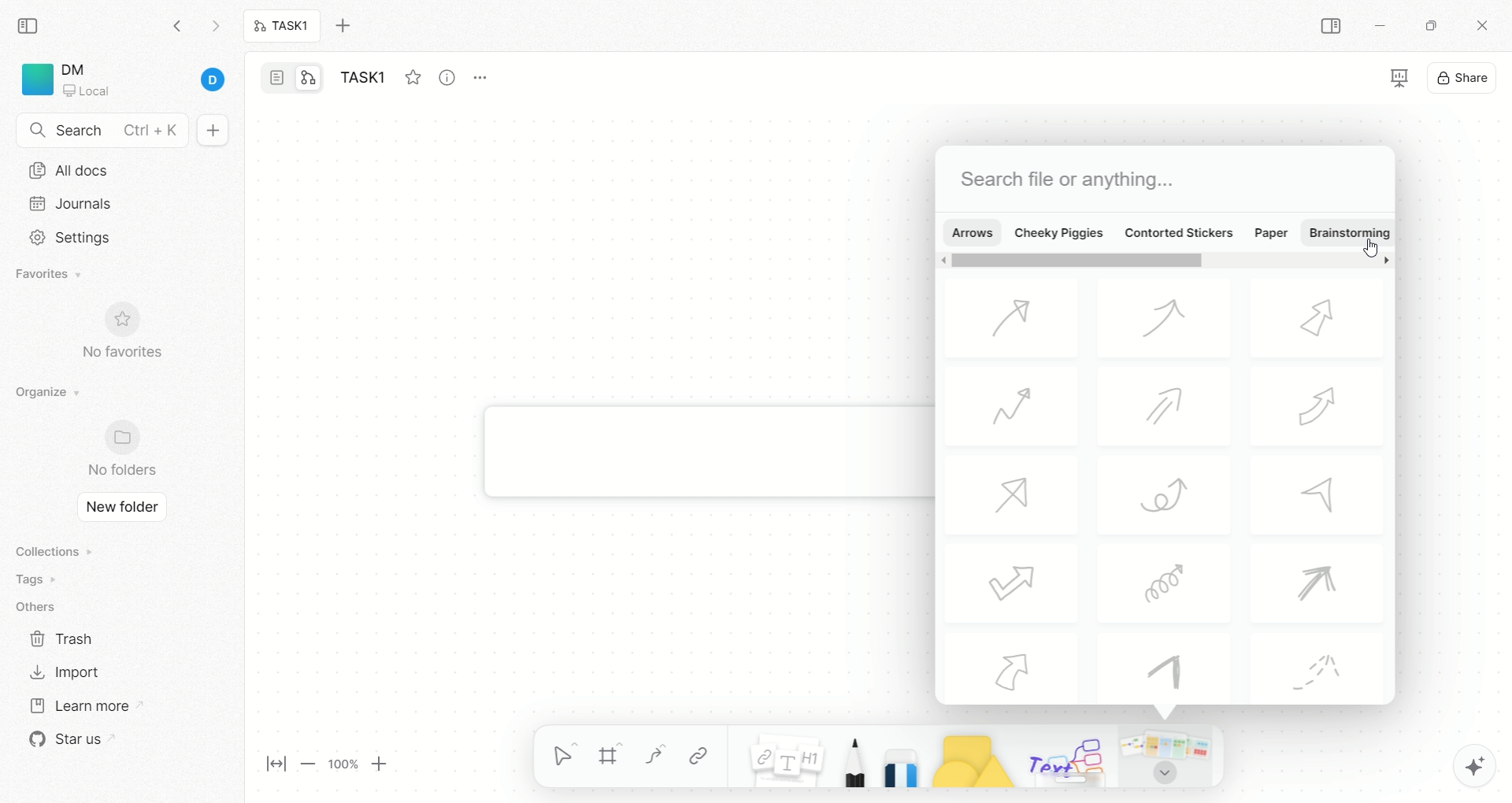 The height and width of the screenshot is (803, 1512). What do you see at coordinates (43, 393) in the screenshot?
I see `organize` at bounding box center [43, 393].